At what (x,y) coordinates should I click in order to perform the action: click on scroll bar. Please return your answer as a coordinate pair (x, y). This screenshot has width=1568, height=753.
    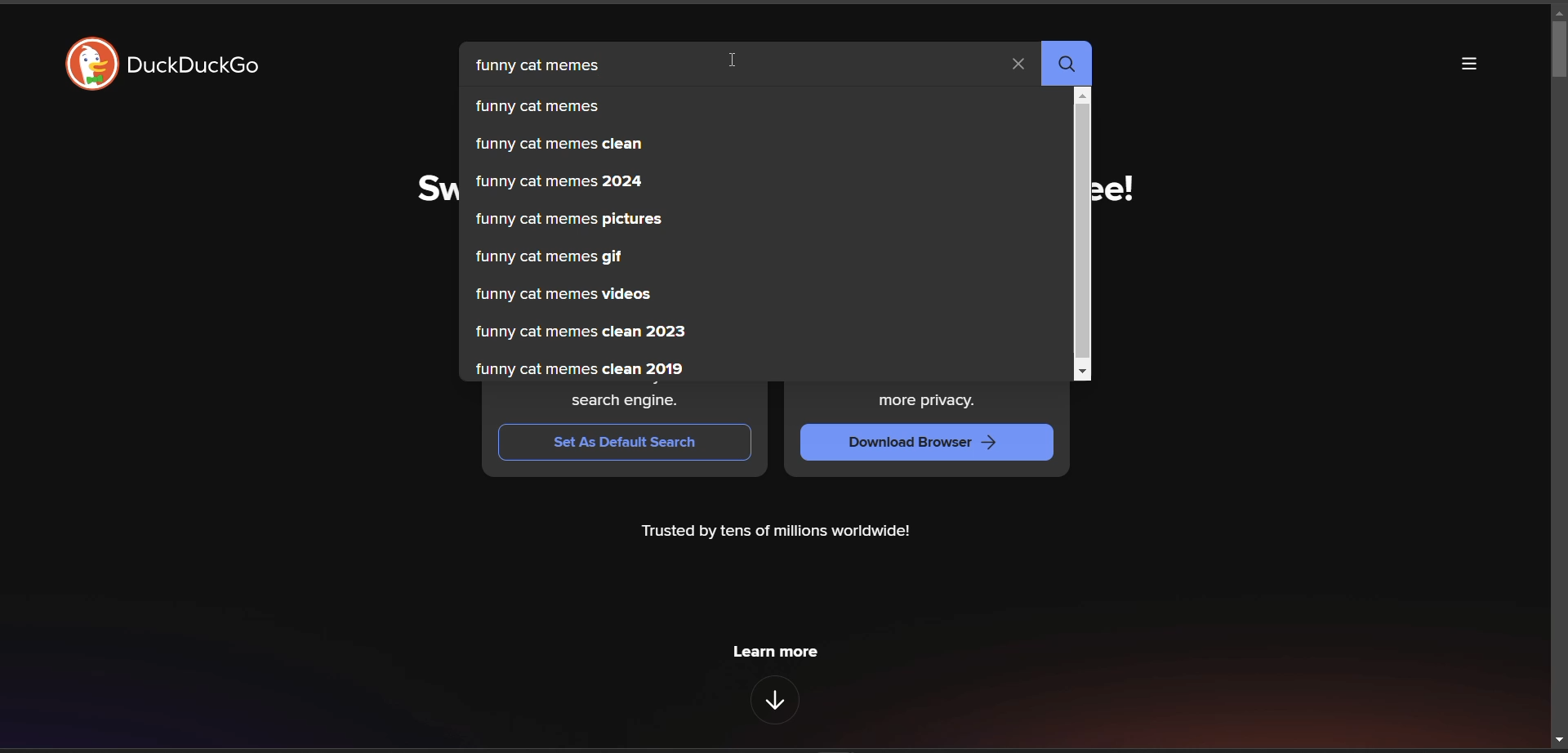
    Looking at the image, I should click on (1557, 51).